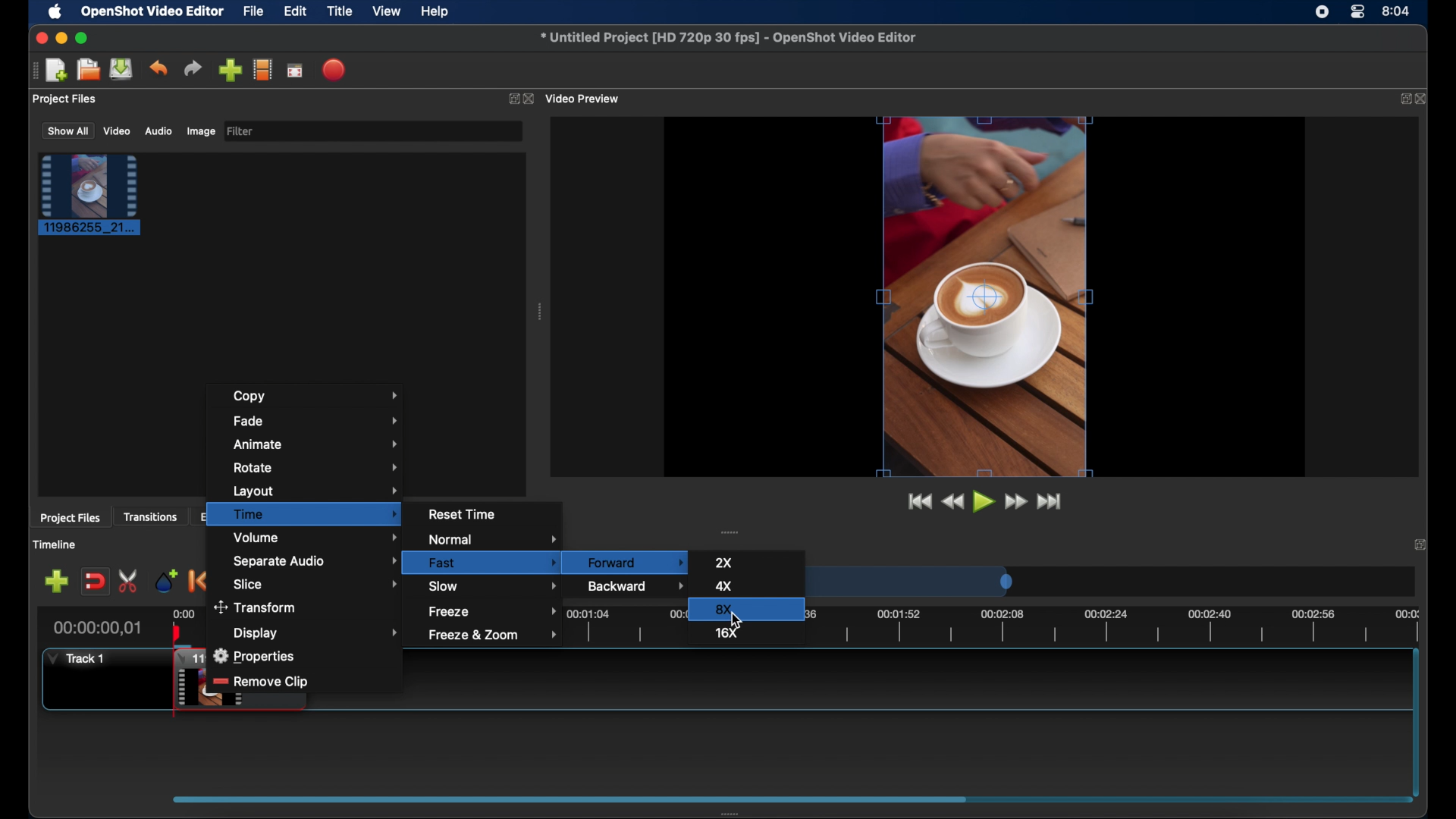 This screenshot has width=1456, height=819. What do you see at coordinates (295, 69) in the screenshot?
I see `full screen` at bounding box center [295, 69].